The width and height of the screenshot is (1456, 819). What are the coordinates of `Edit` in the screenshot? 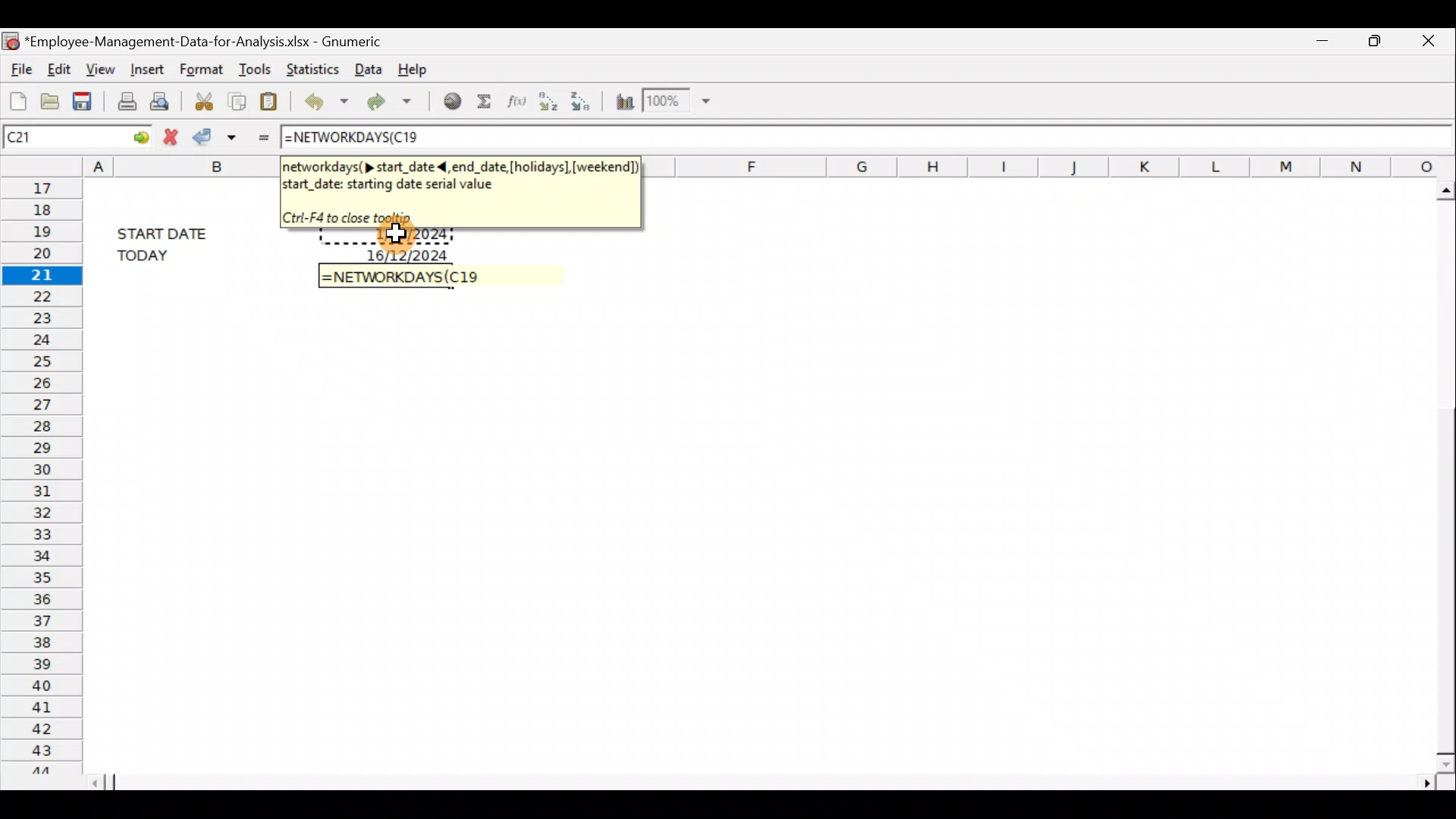 It's located at (61, 69).